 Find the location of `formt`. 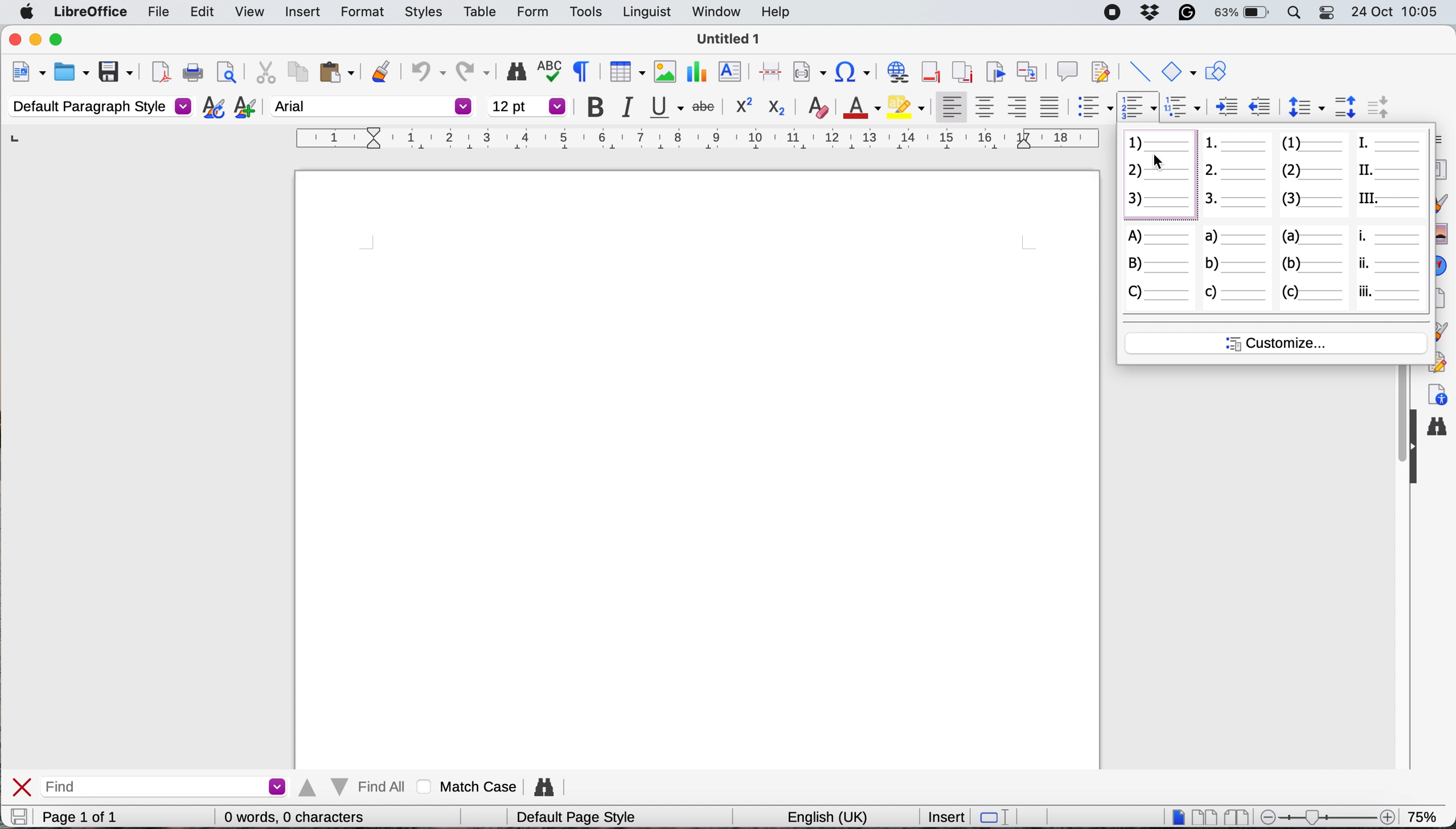

formt is located at coordinates (360, 13).